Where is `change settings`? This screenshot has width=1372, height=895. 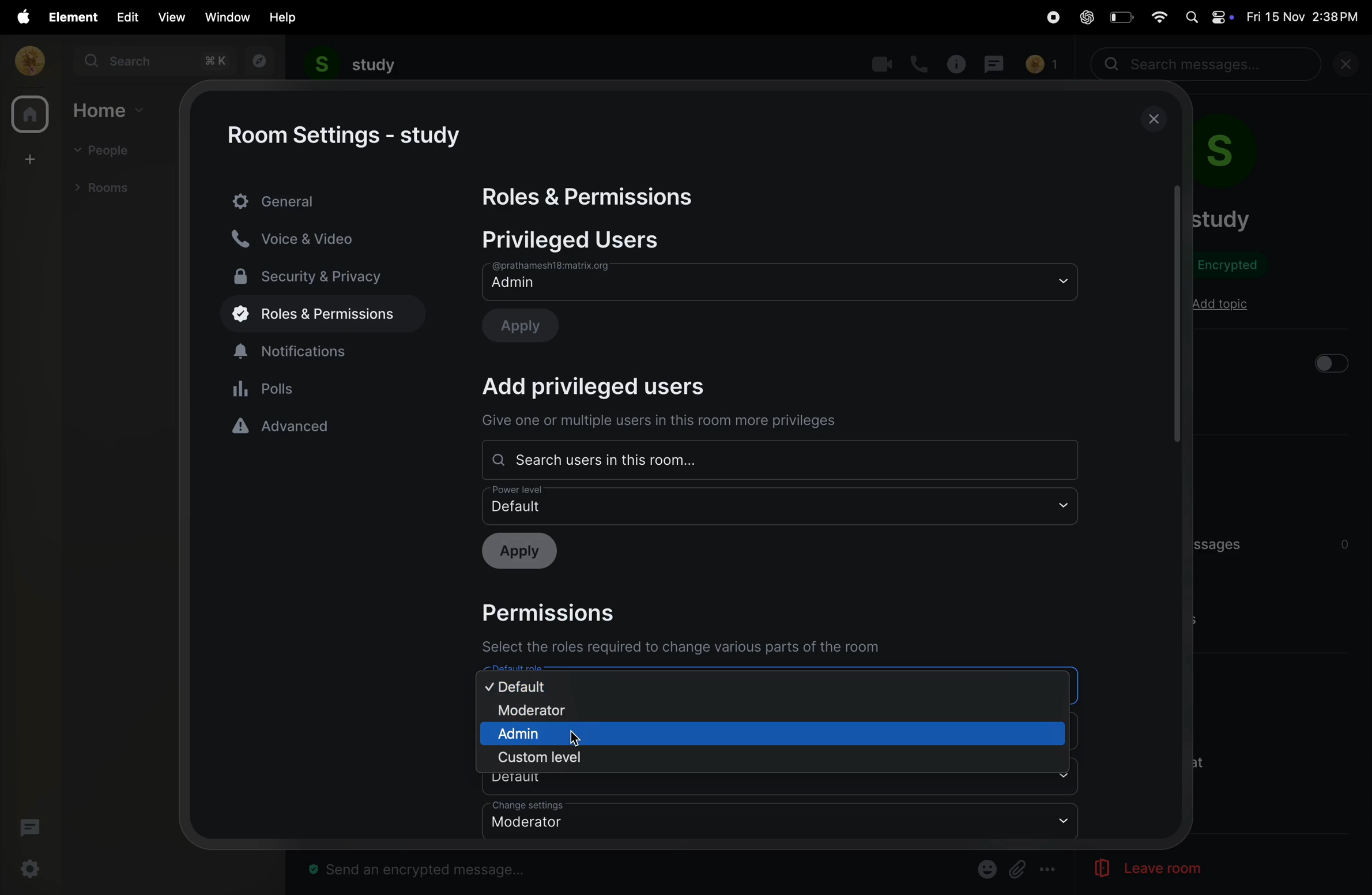
change settings is located at coordinates (779, 821).